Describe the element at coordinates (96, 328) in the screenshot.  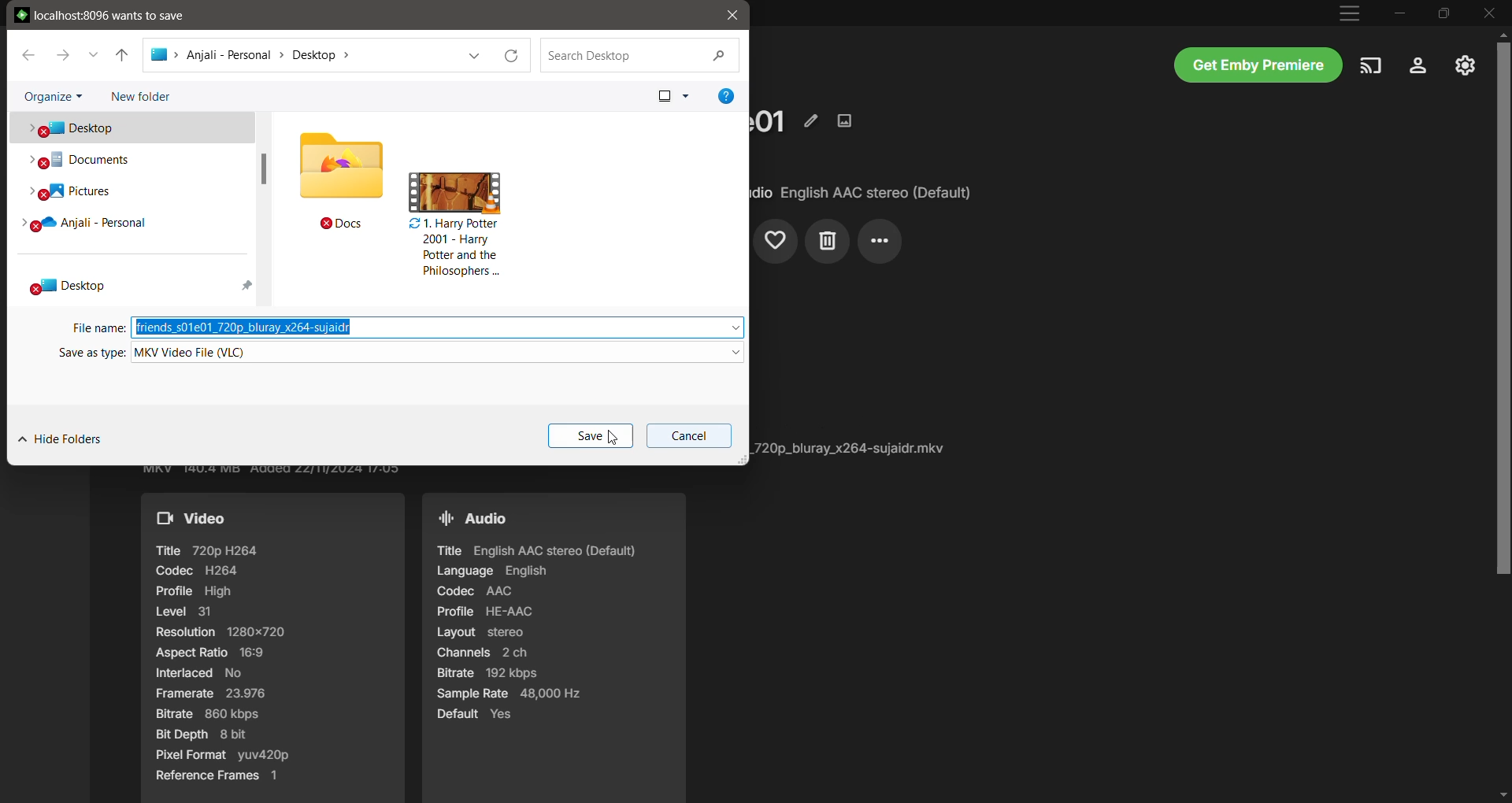
I see `File Name` at that location.